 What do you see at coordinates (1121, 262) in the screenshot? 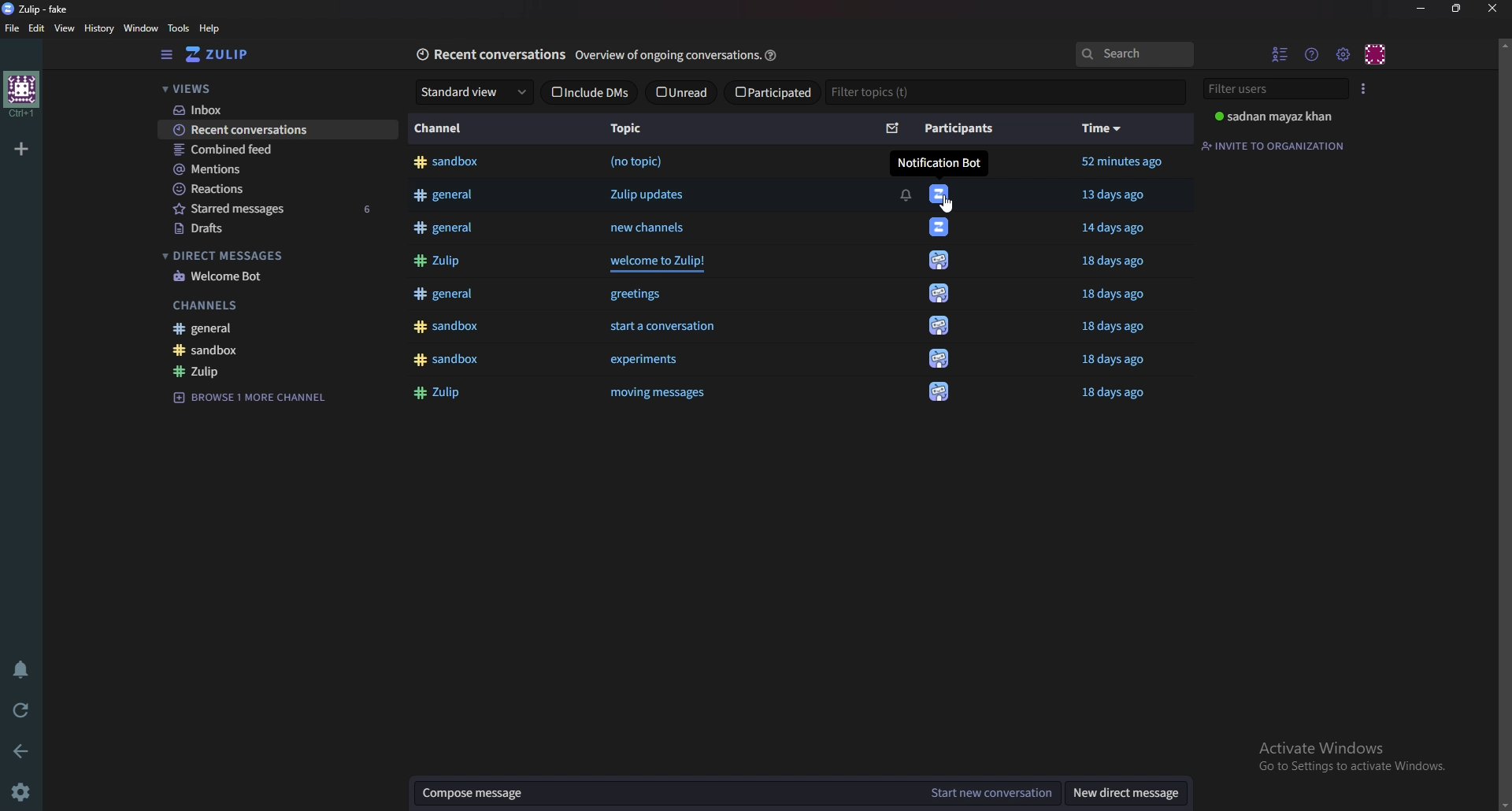
I see `18 days ago` at bounding box center [1121, 262].